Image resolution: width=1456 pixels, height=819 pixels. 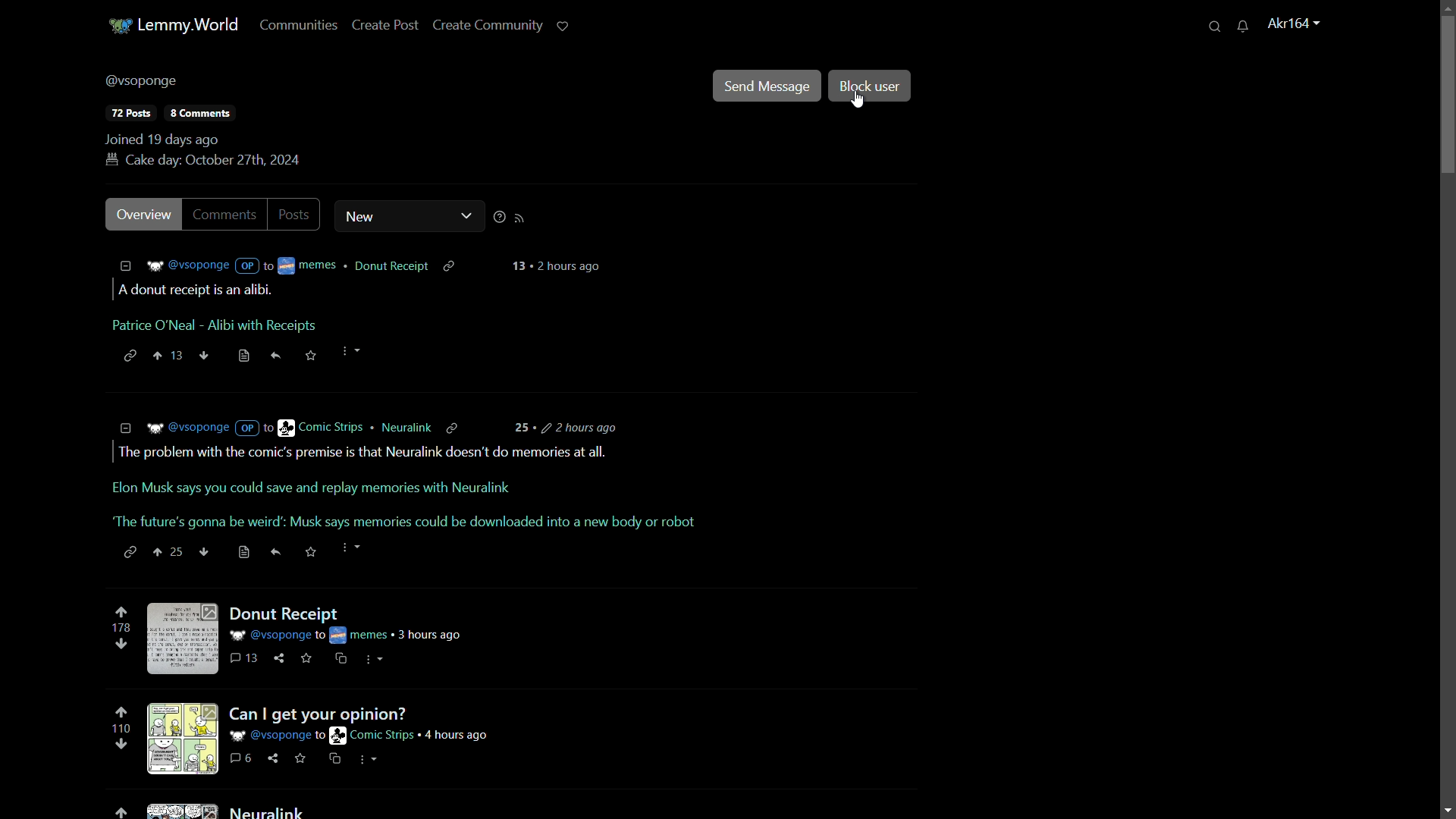 What do you see at coordinates (359, 306) in the screenshot?
I see `comment-1` at bounding box center [359, 306].